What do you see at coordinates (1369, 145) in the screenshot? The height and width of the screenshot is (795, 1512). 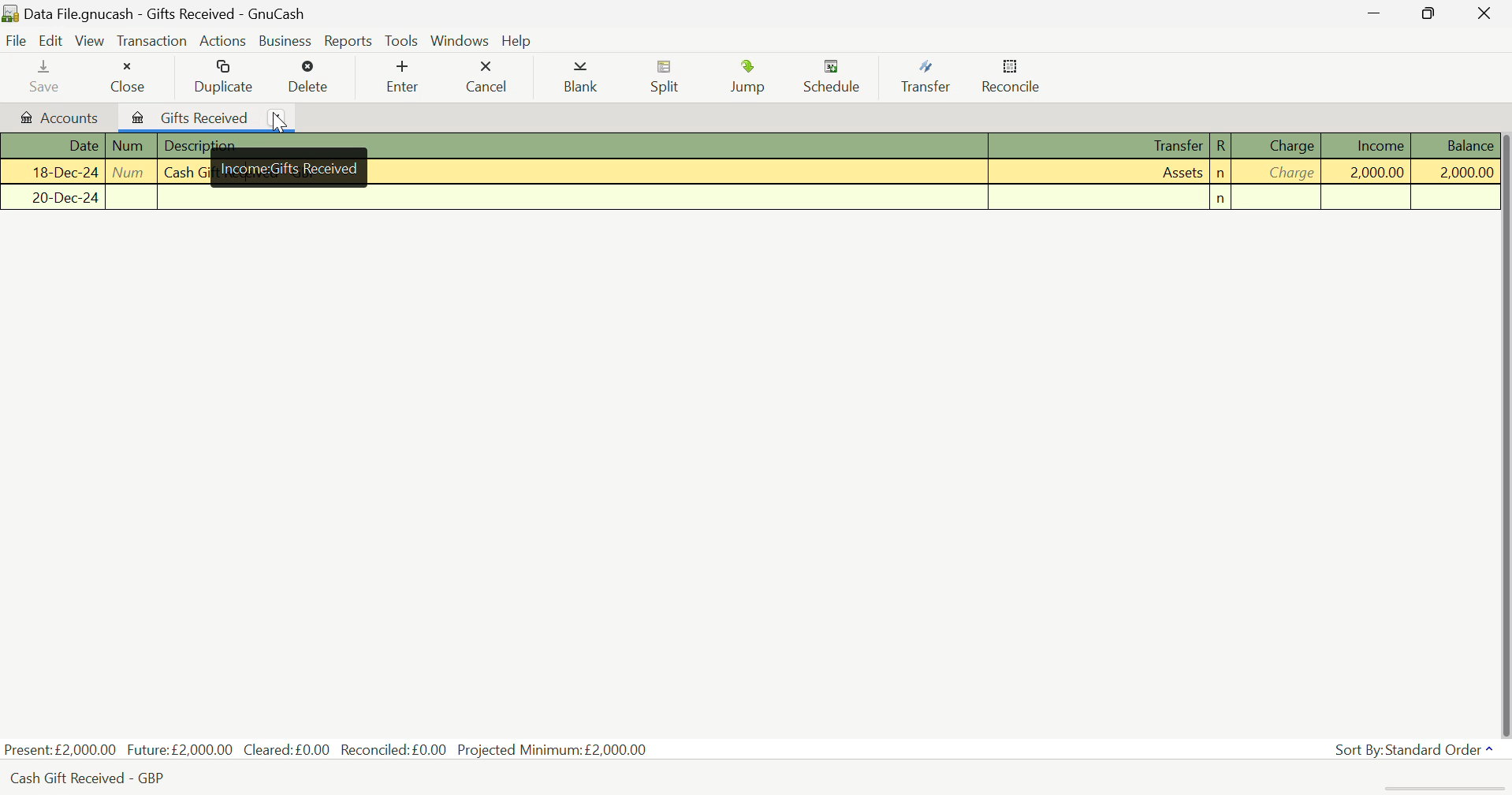 I see `Income` at bounding box center [1369, 145].